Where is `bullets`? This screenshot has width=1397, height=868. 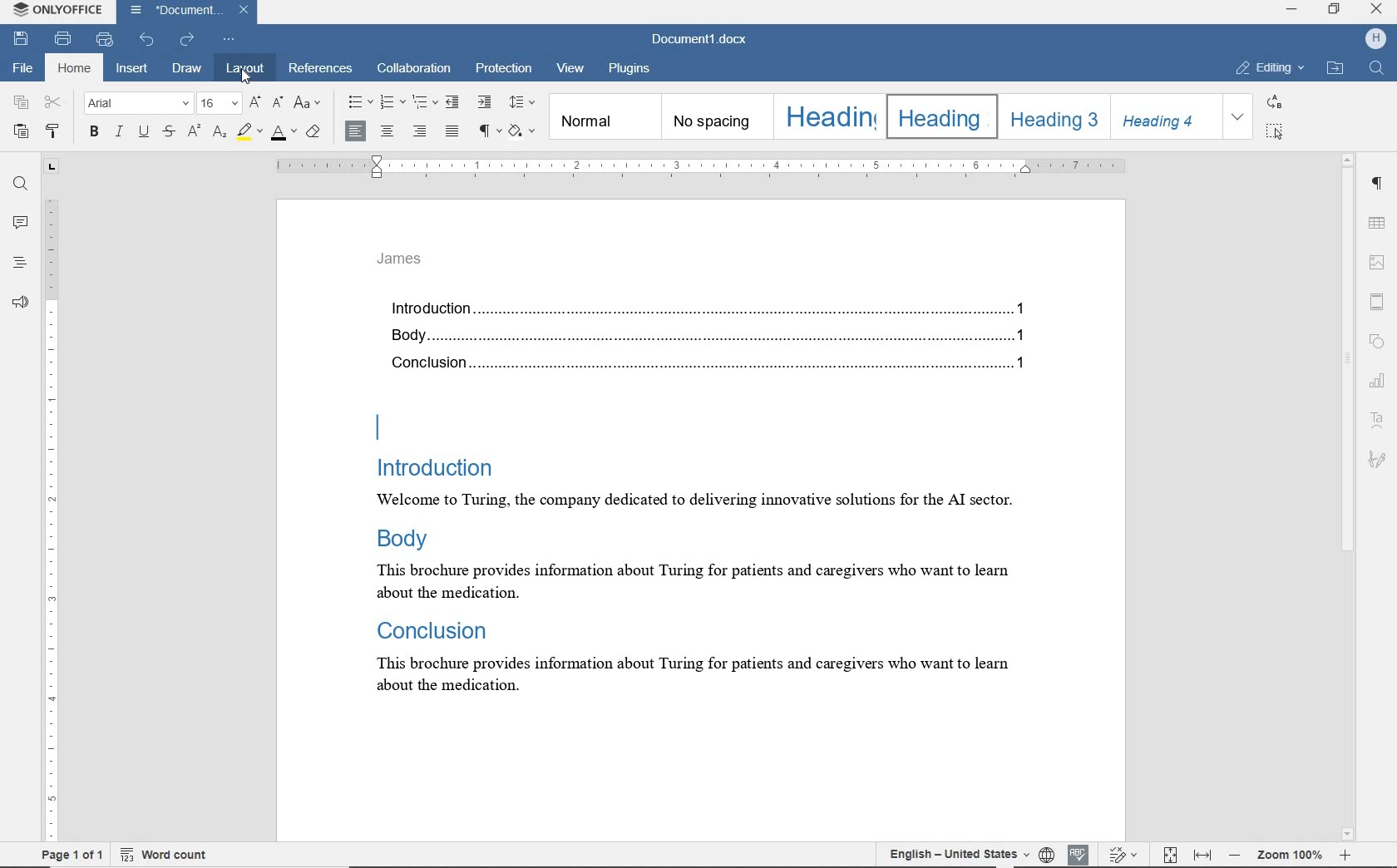 bullets is located at coordinates (359, 103).